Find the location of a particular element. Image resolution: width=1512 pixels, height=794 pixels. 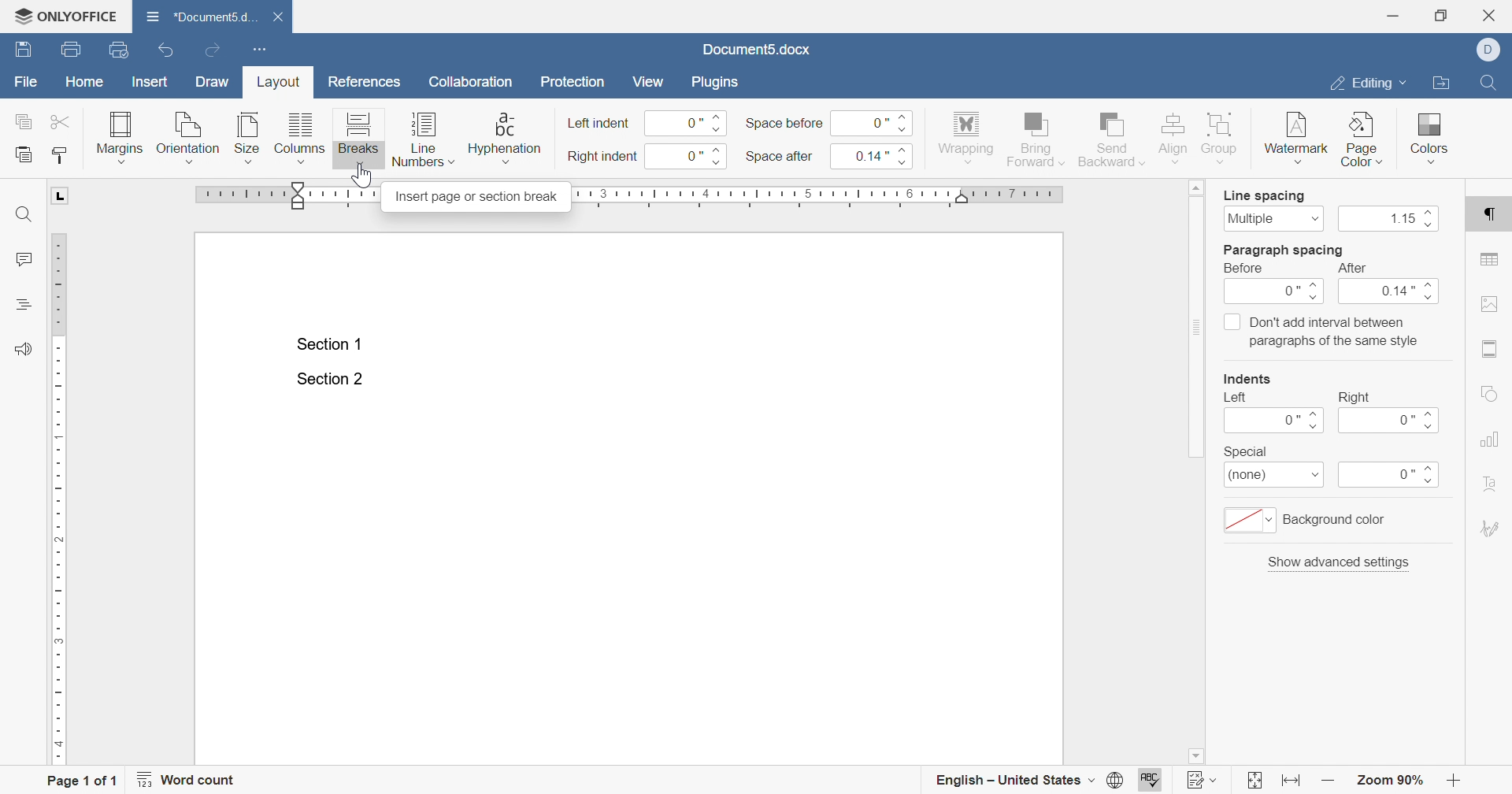

L is located at coordinates (61, 196).